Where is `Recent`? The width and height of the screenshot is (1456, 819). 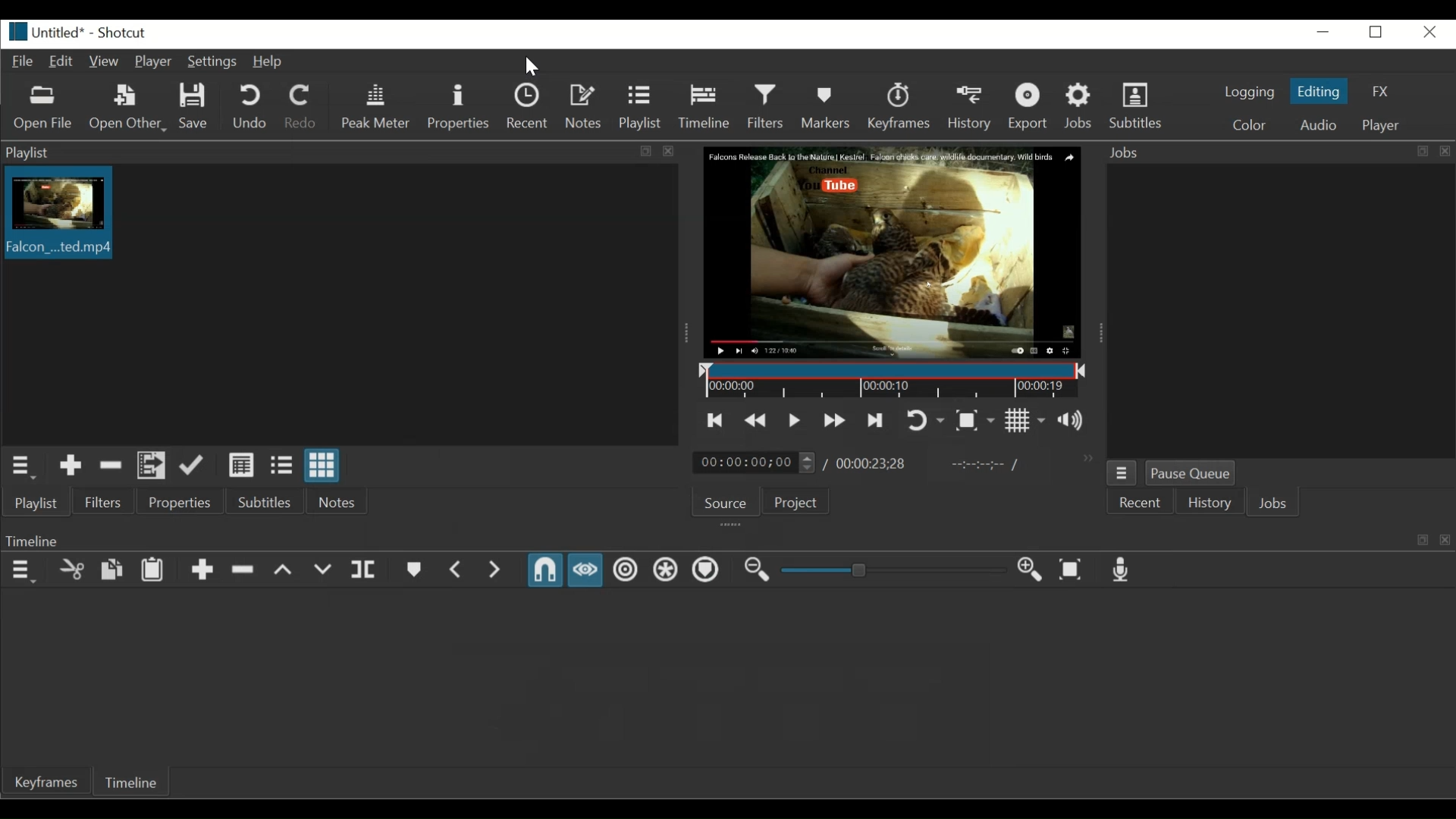 Recent is located at coordinates (527, 107).